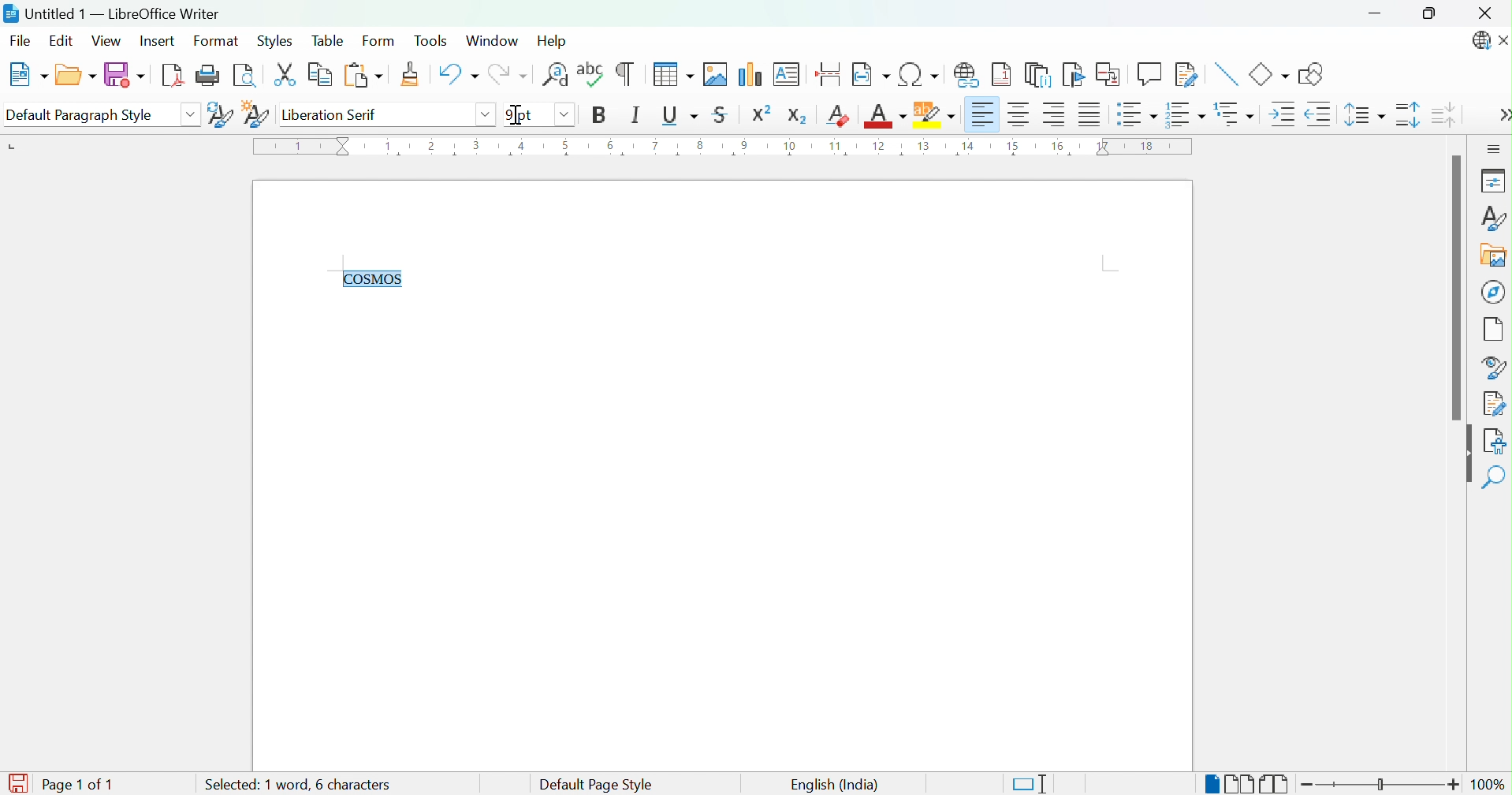 The image size is (1512, 795). I want to click on Standard selection. Click to change the selection mode., so click(1030, 784).